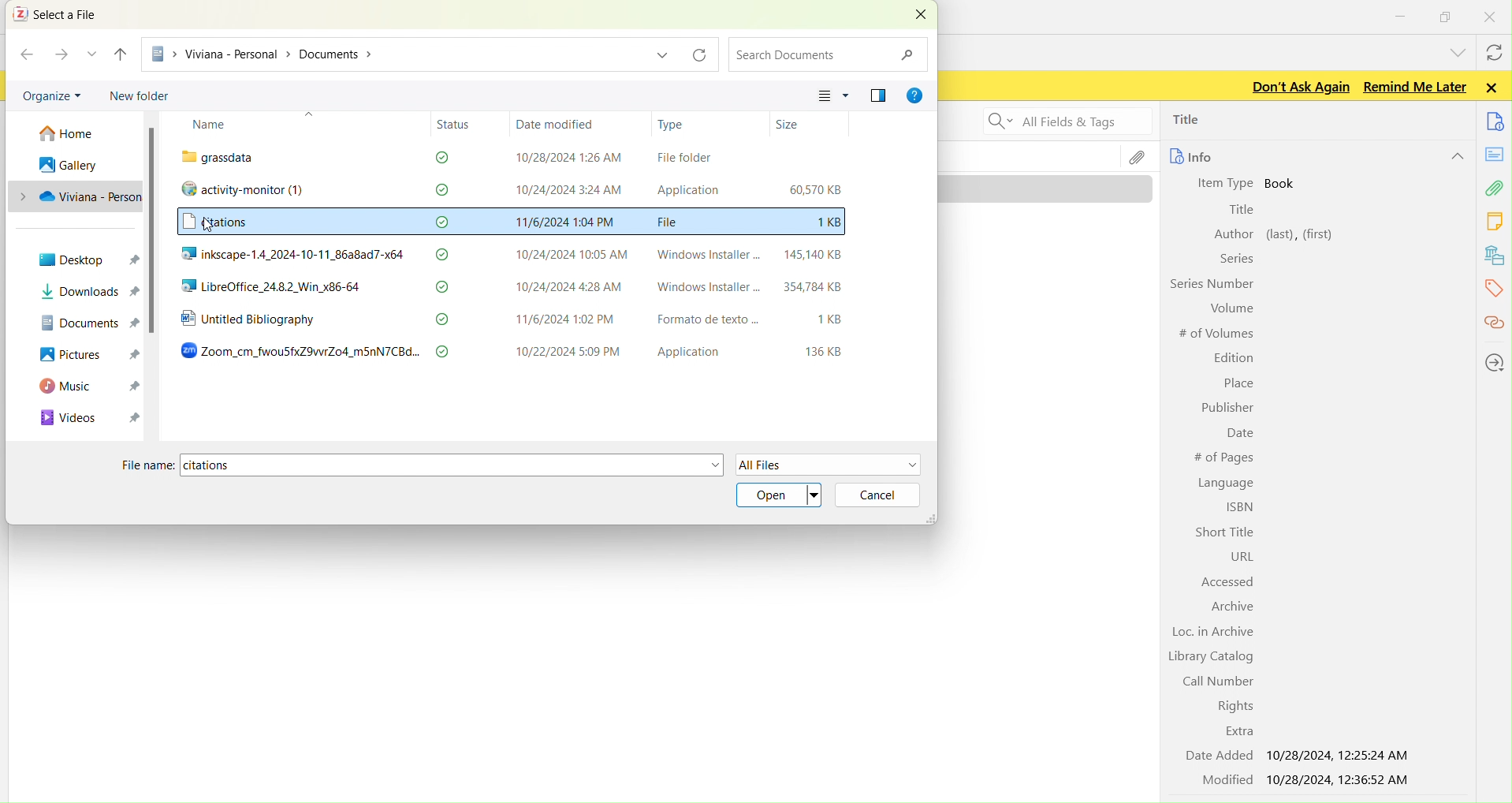  Describe the element at coordinates (886, 495) in the screenshot. I see `cancel` at that location.